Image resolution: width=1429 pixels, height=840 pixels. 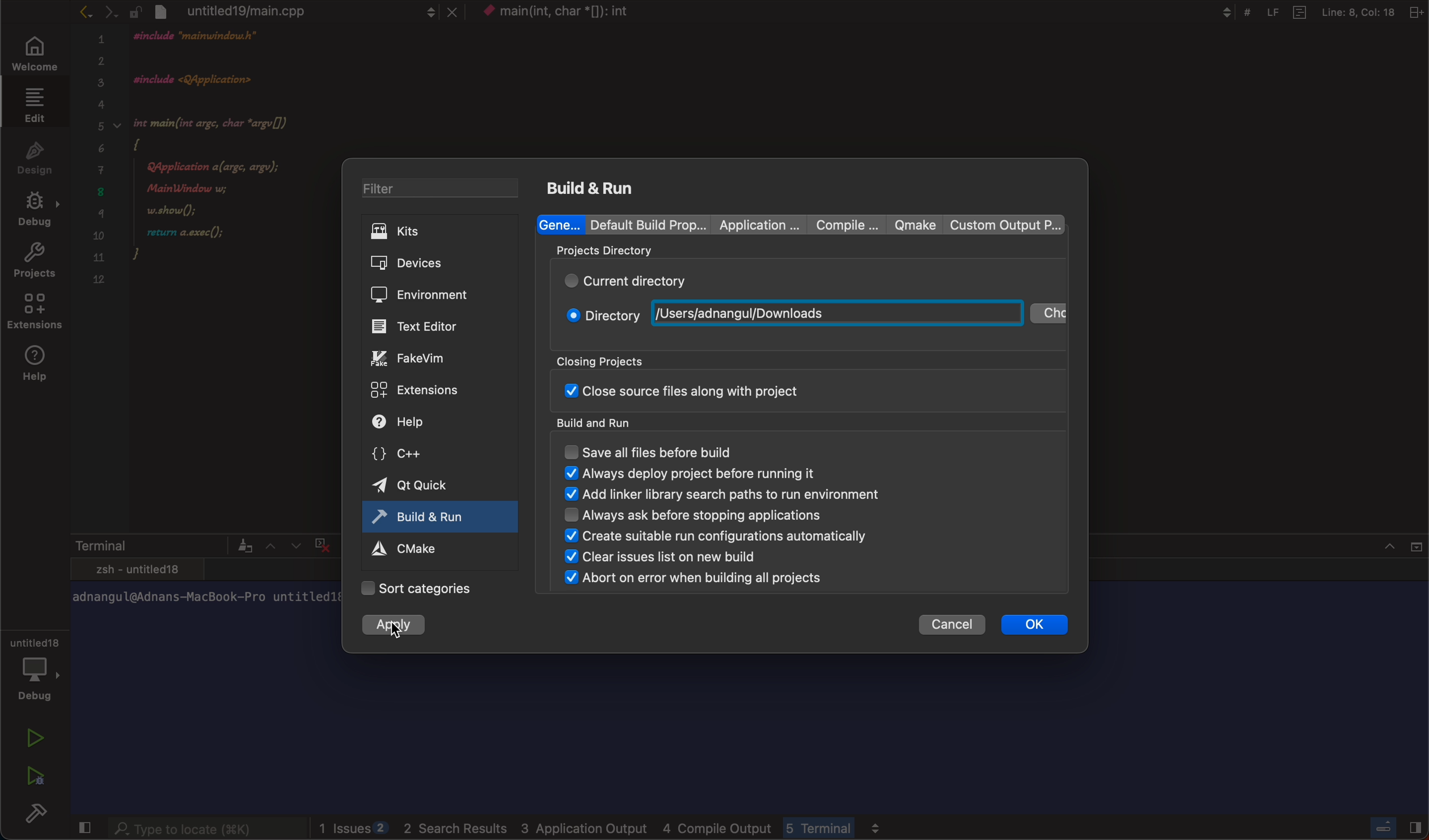 I want to click on general, so click(x=561, y=223).